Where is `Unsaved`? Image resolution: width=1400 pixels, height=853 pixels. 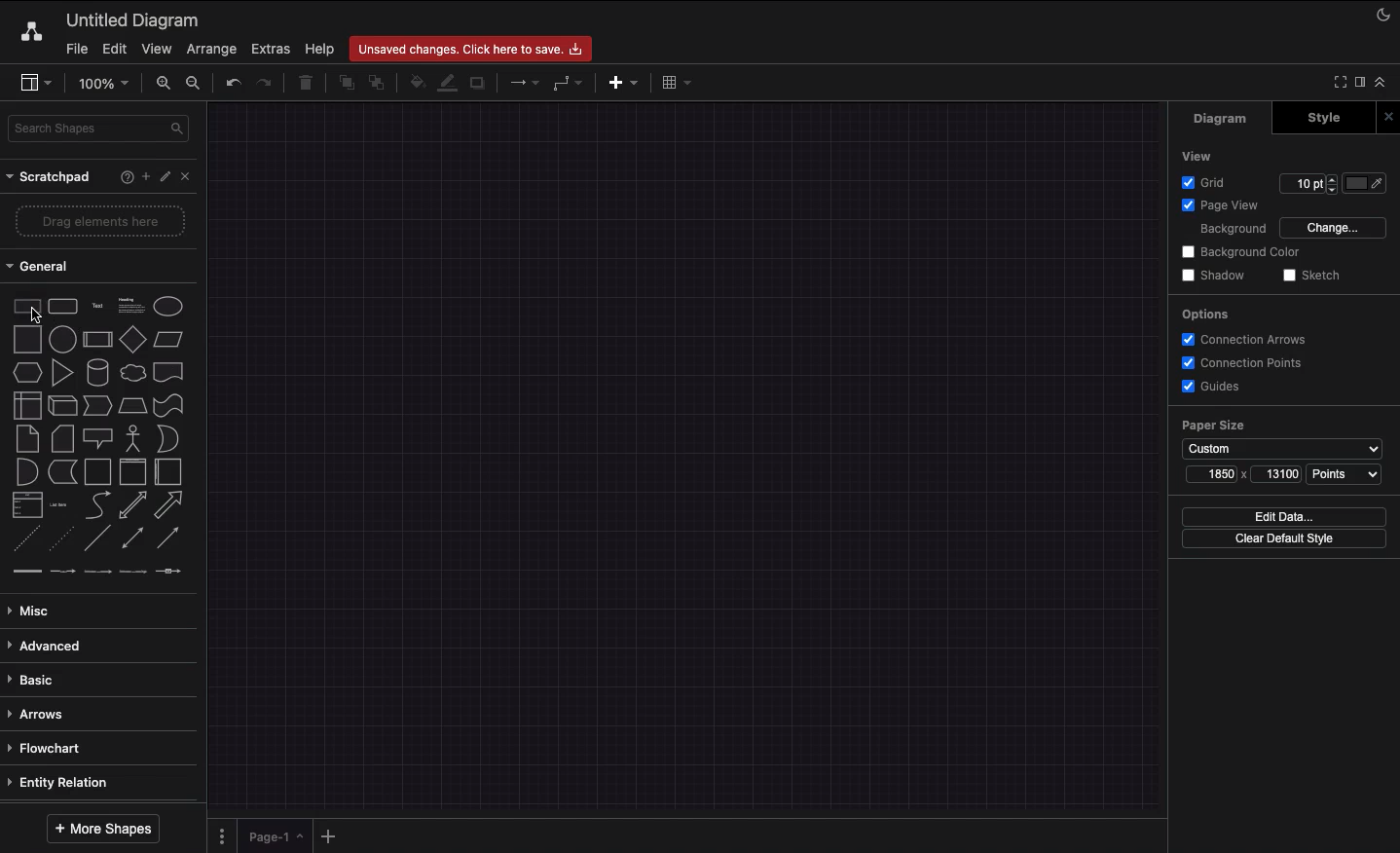 Unsaved is located at coordinates (470, 50).